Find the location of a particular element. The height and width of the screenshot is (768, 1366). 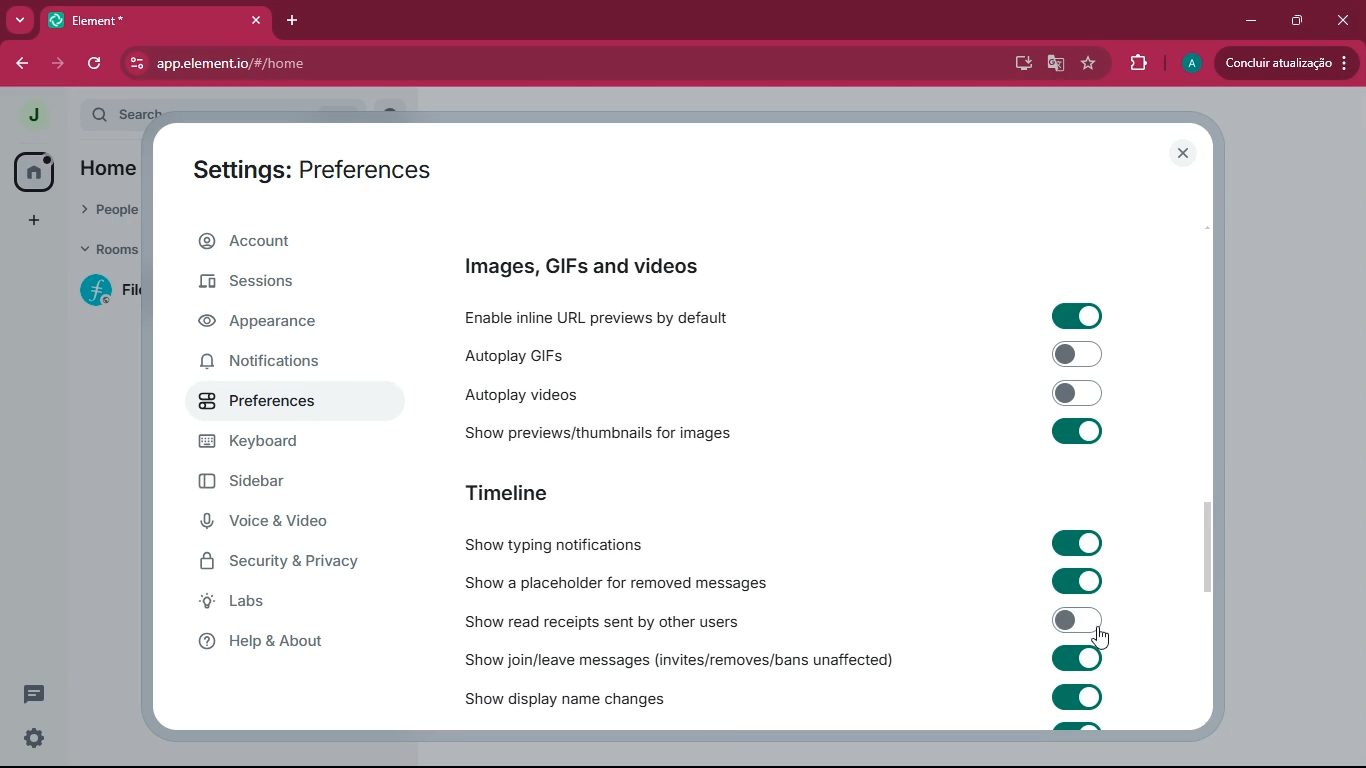

toggle on/off is located at coordinates (1078, 543).